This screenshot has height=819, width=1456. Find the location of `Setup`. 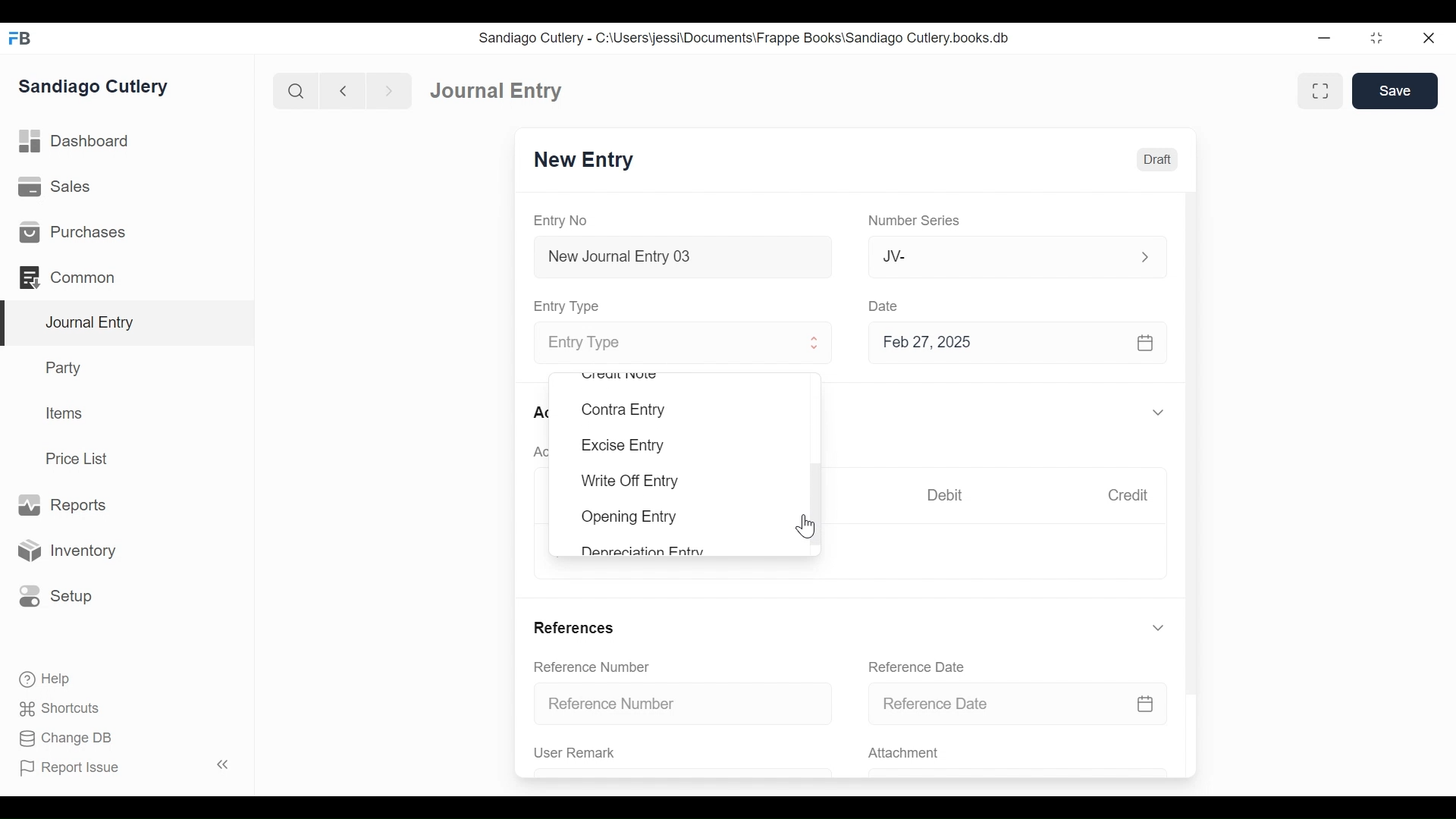

Setup is located at coordinates (56, 597).